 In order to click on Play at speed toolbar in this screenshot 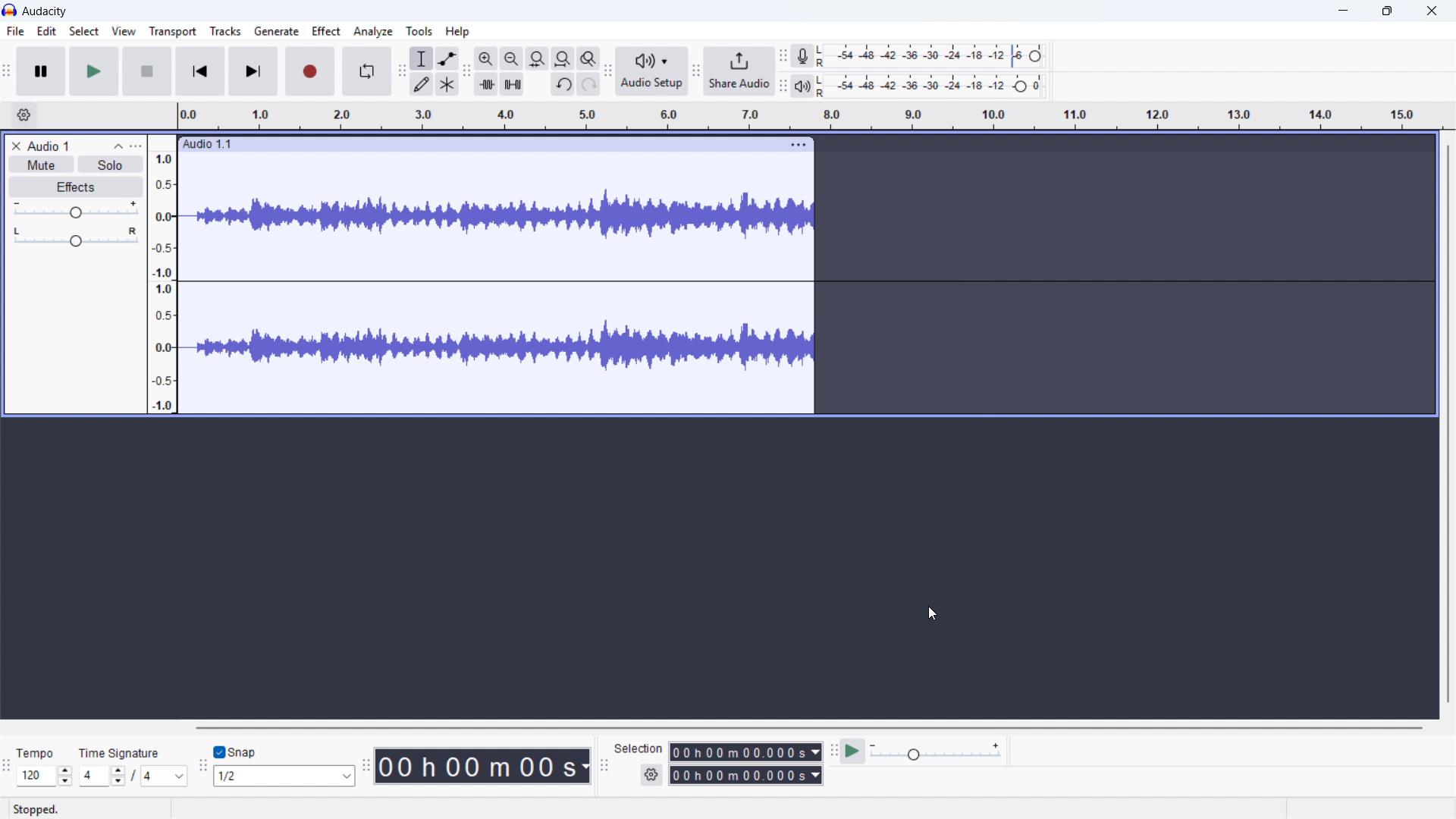, I will do `click(833, 752)`.